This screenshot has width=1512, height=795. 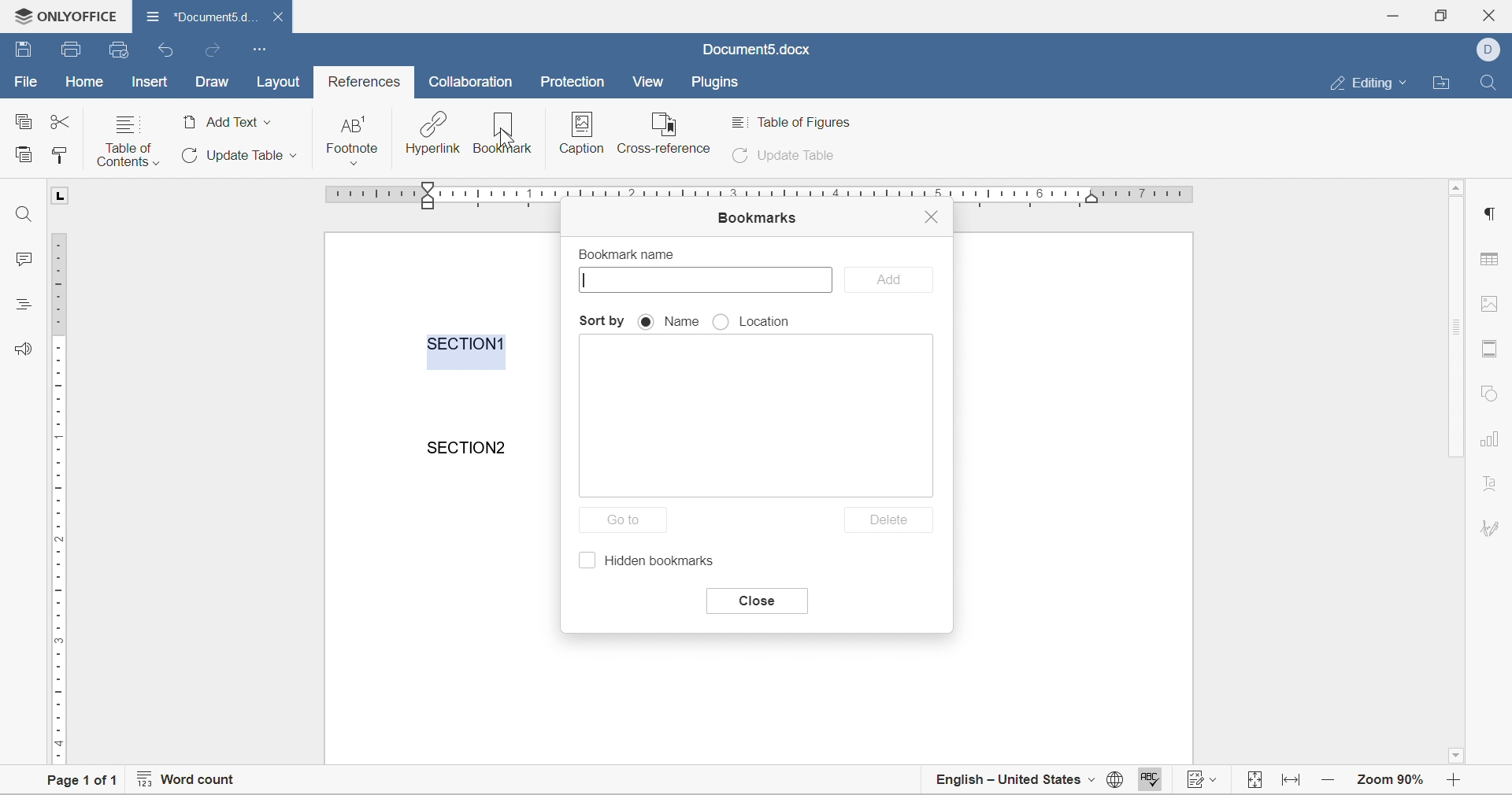 What do you see at coordinates (148, 81) in the screenshot?
I see `insert` at bounding box center [148, 81].